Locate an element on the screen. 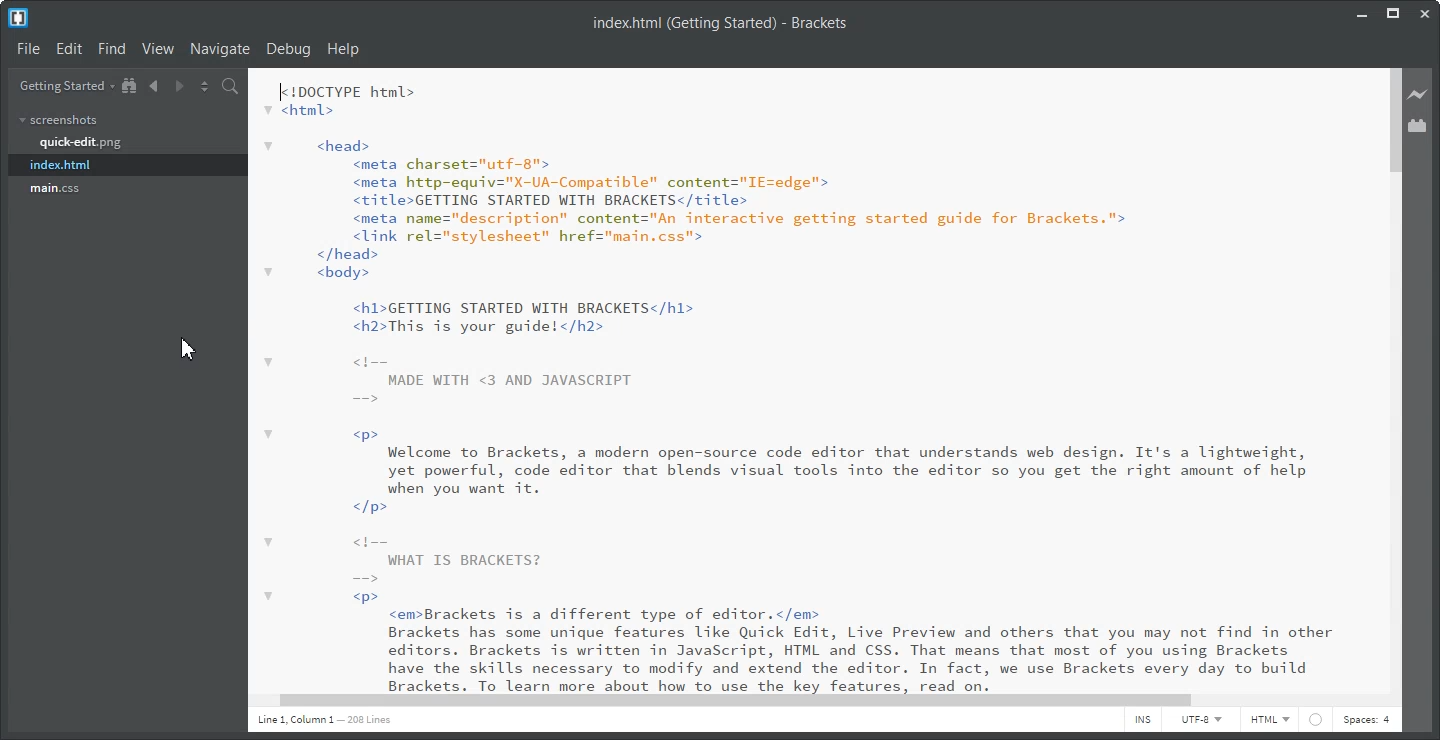 This screenshot has width=1440, height=740. Maximize is located at coordinates (1393, 13).